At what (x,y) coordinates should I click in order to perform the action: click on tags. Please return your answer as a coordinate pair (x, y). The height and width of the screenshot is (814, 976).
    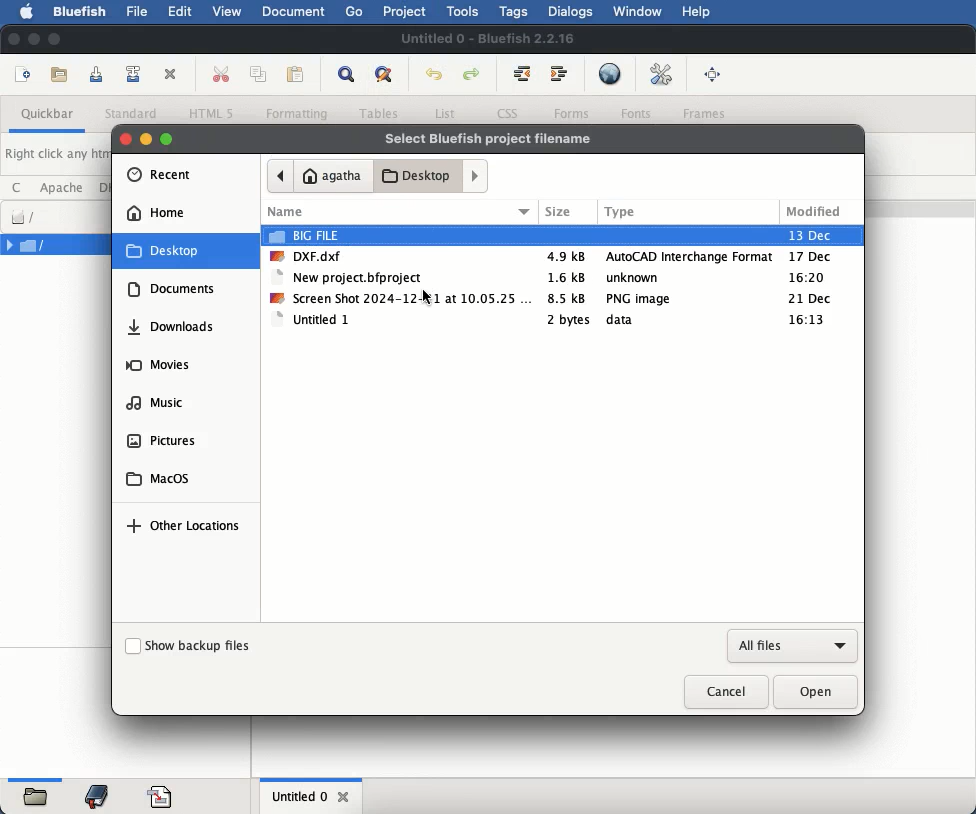
    Looking at the image, I should click on (517, 11).